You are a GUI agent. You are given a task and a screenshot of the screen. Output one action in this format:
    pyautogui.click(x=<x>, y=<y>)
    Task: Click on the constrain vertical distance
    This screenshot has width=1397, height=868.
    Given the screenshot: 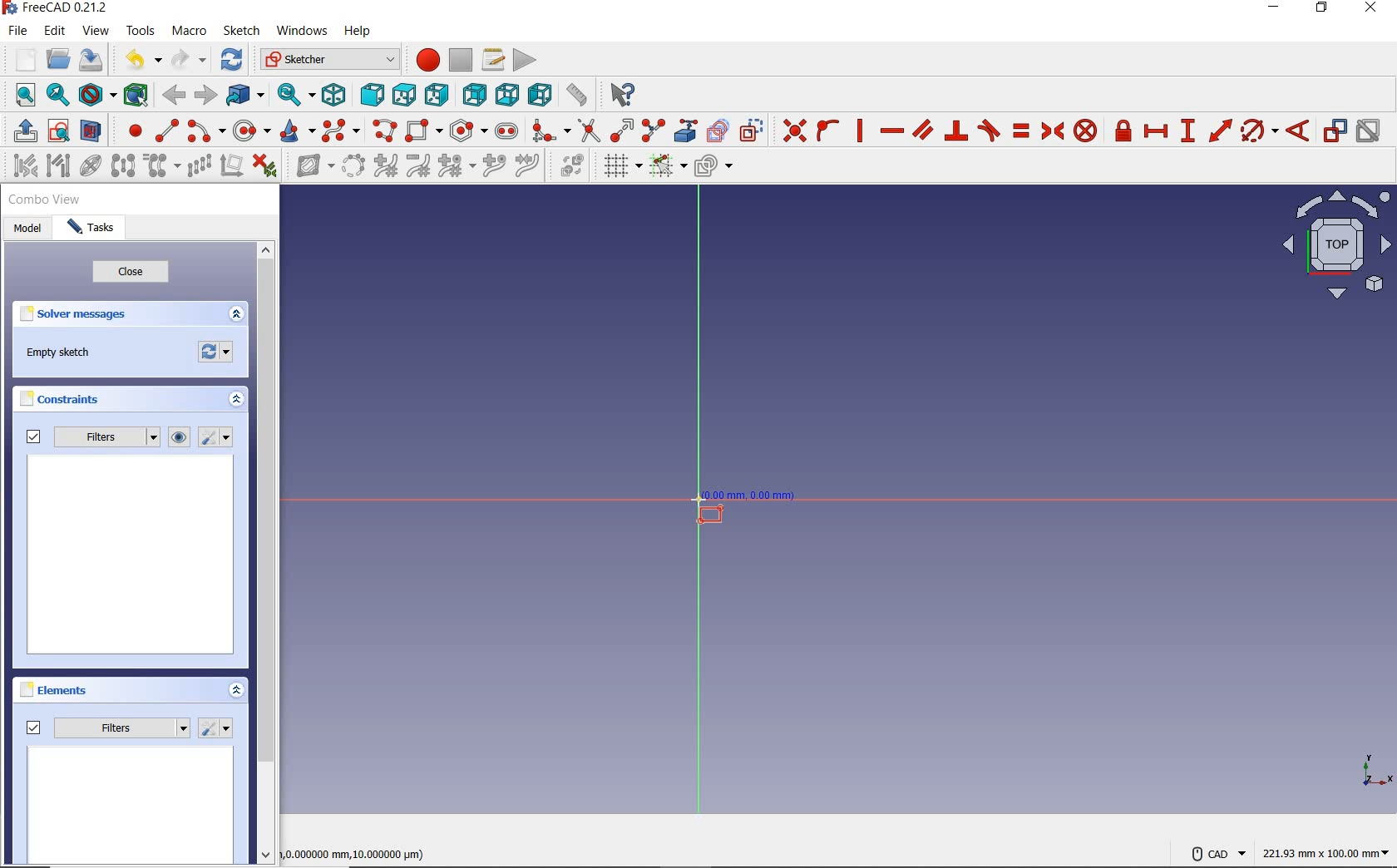 What is the action you would take?
    pyautogui.click(x=1190, y=132)
    